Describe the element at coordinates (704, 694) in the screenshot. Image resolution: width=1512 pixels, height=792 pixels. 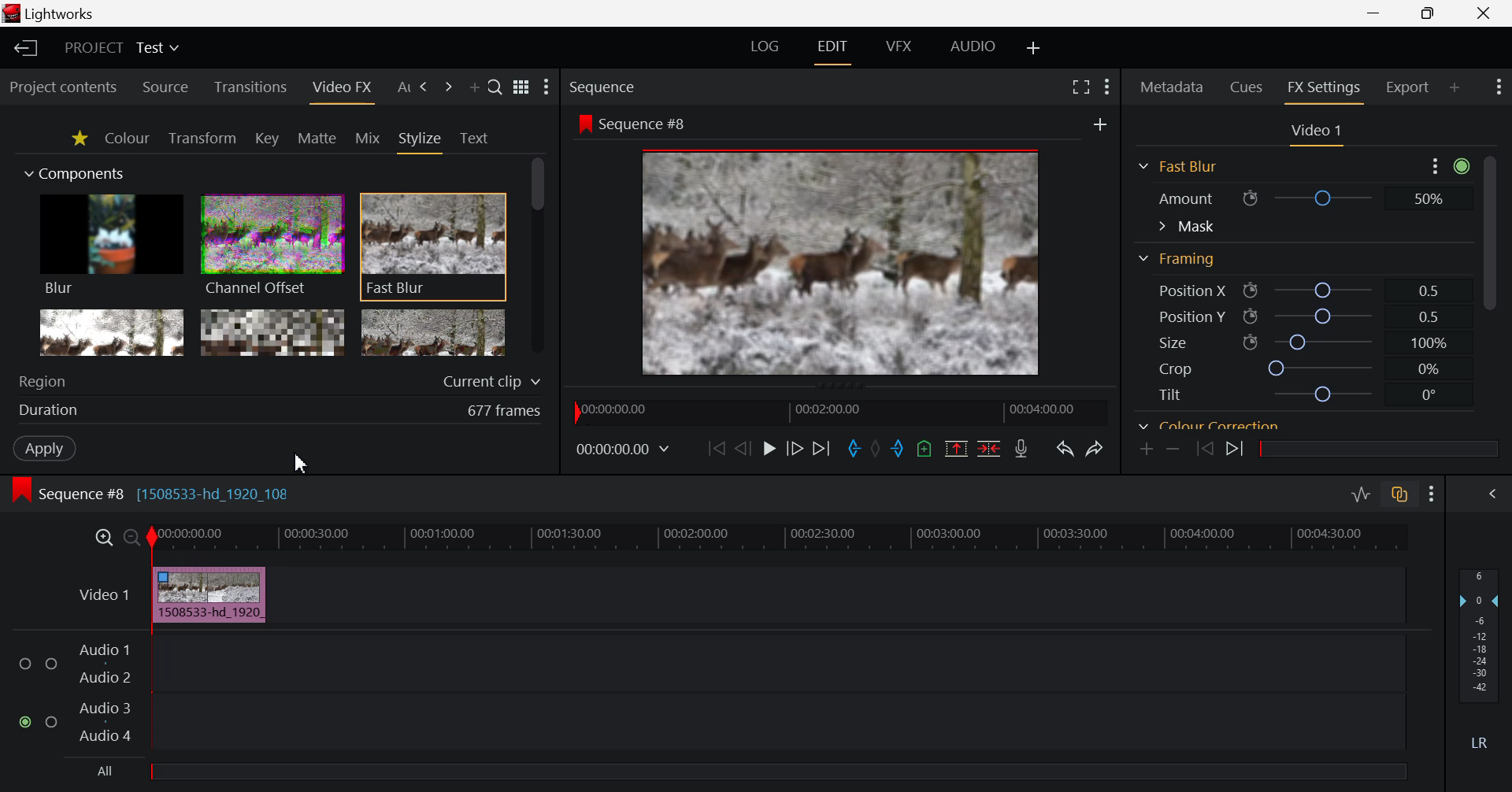
I see `Audio Input Fields` at that location.